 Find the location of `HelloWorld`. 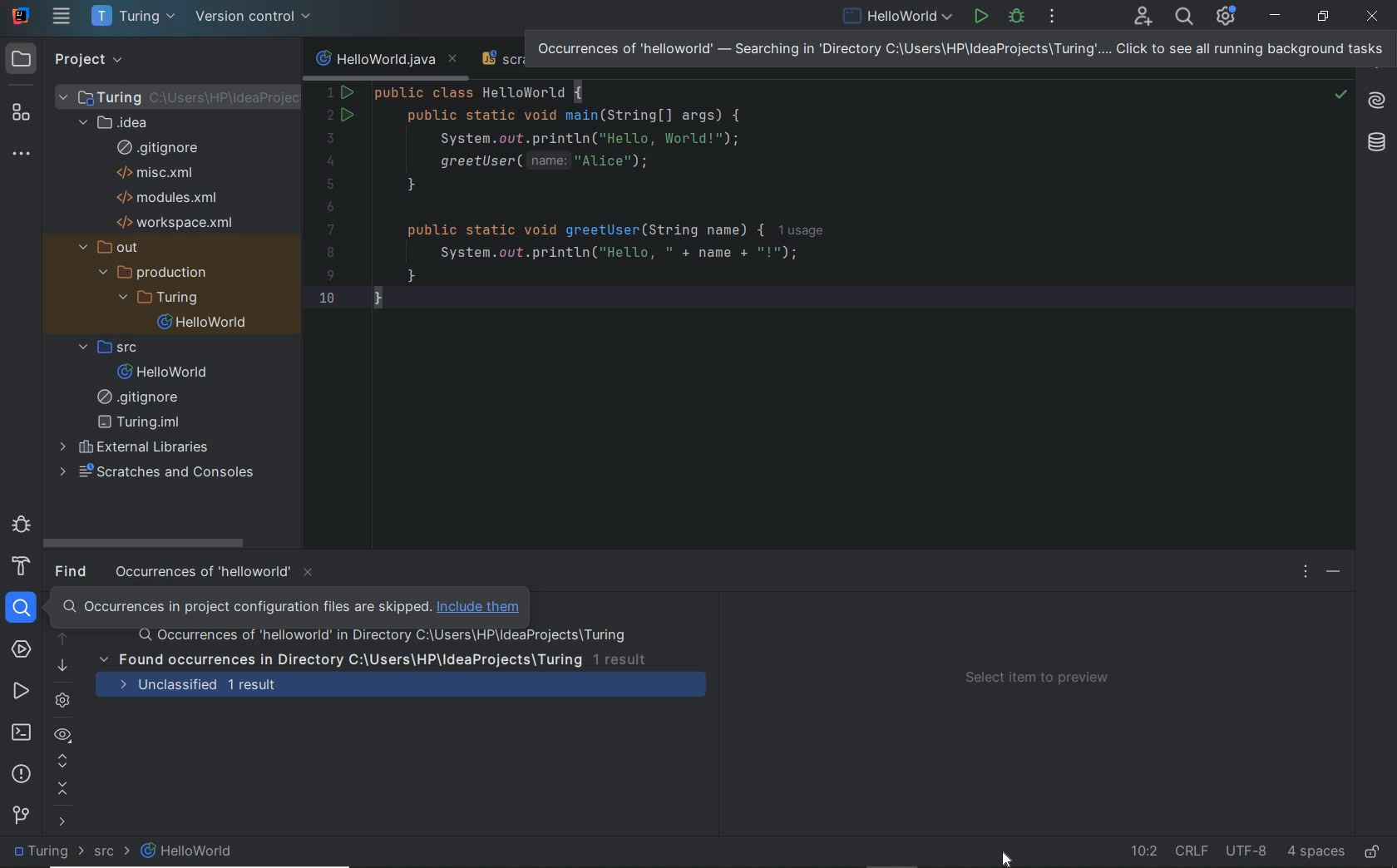

HelloWorld is located at coordinates (188, 852).